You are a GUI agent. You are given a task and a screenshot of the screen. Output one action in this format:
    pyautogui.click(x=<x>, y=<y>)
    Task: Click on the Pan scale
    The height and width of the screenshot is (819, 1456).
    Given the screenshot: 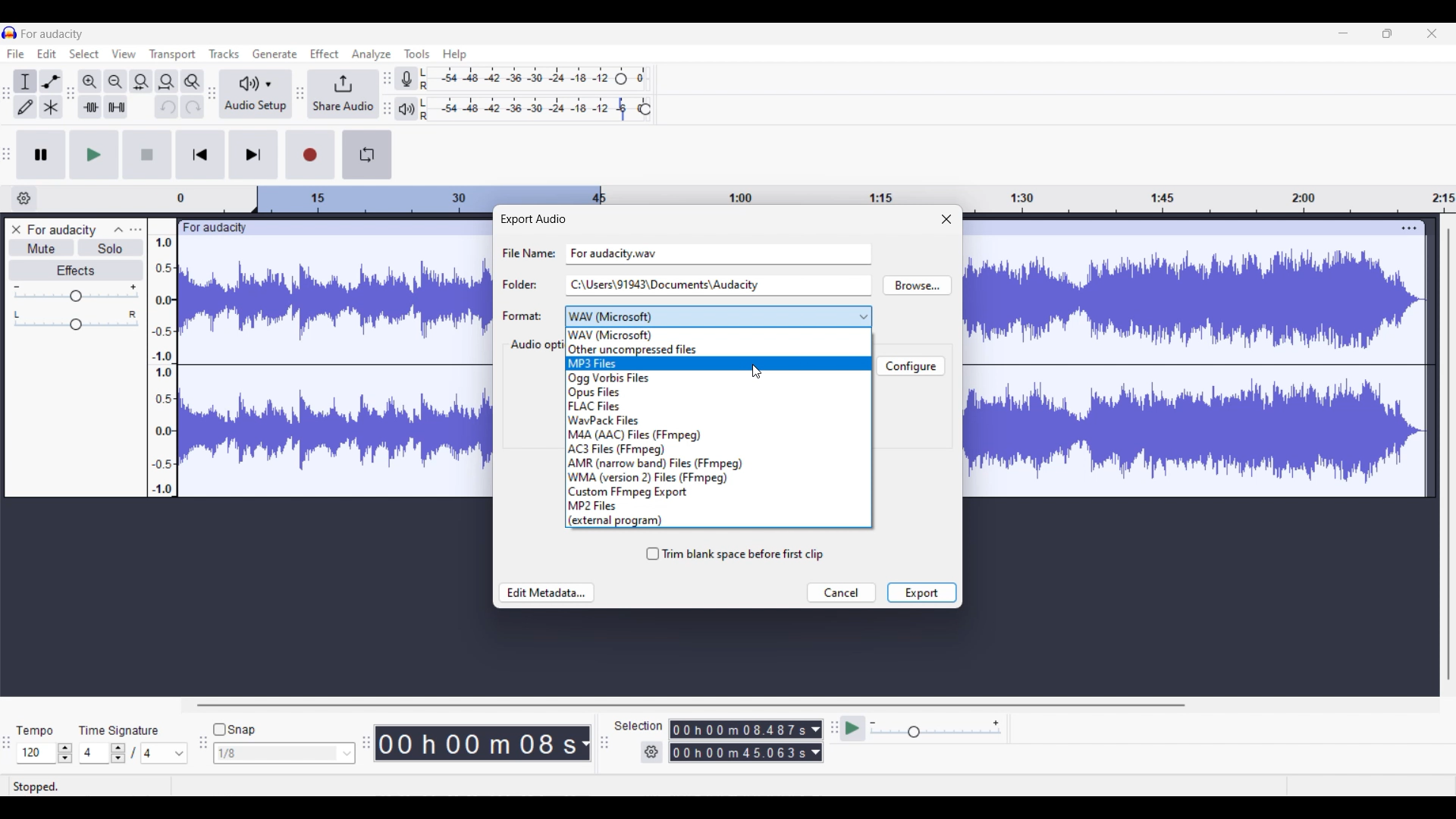 What is the action you would take?
    pyautogui.click(x=76, y=321)
    